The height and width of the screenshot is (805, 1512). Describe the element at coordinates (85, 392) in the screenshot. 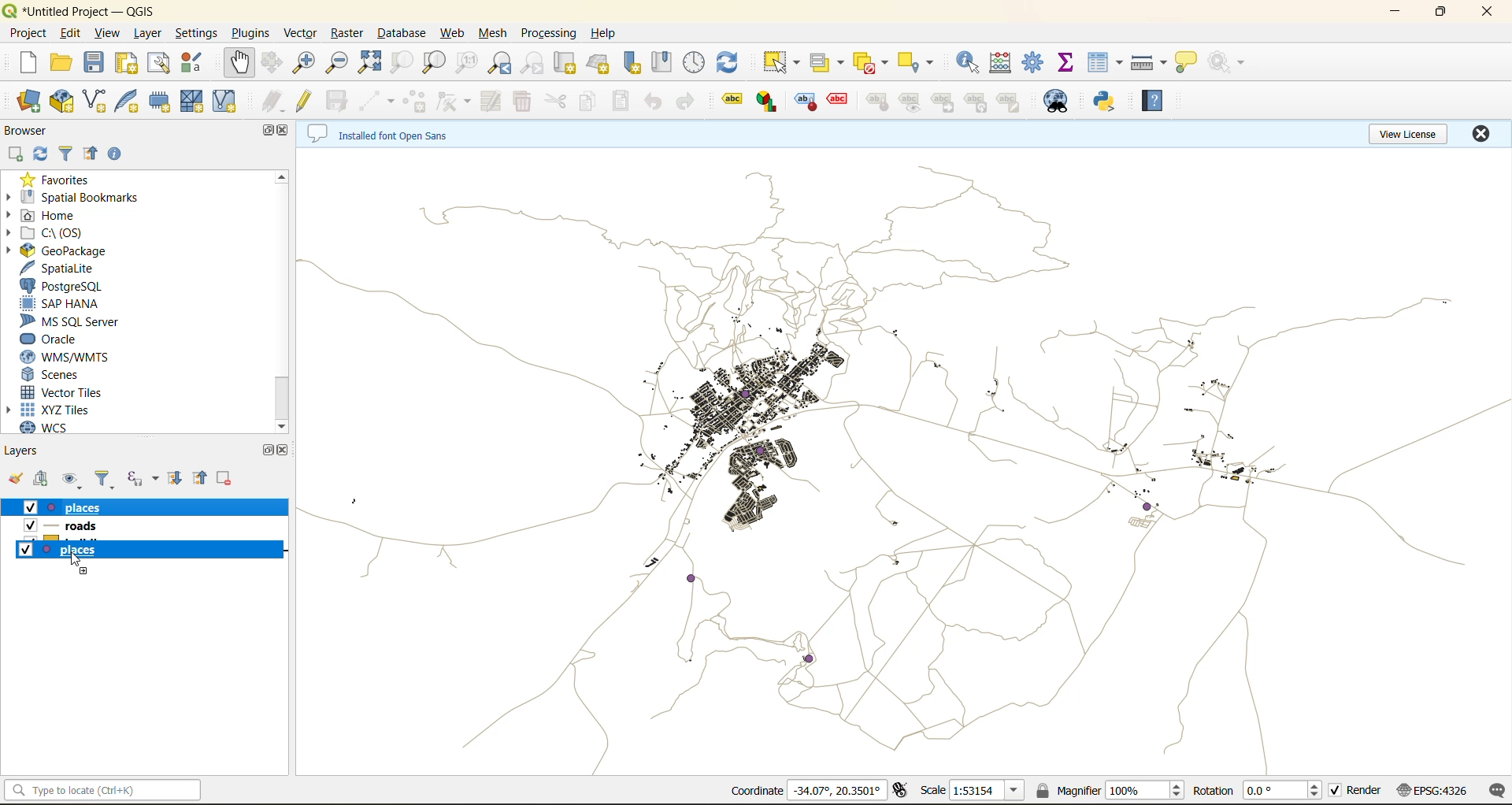

I see `vector tiles` at that location.